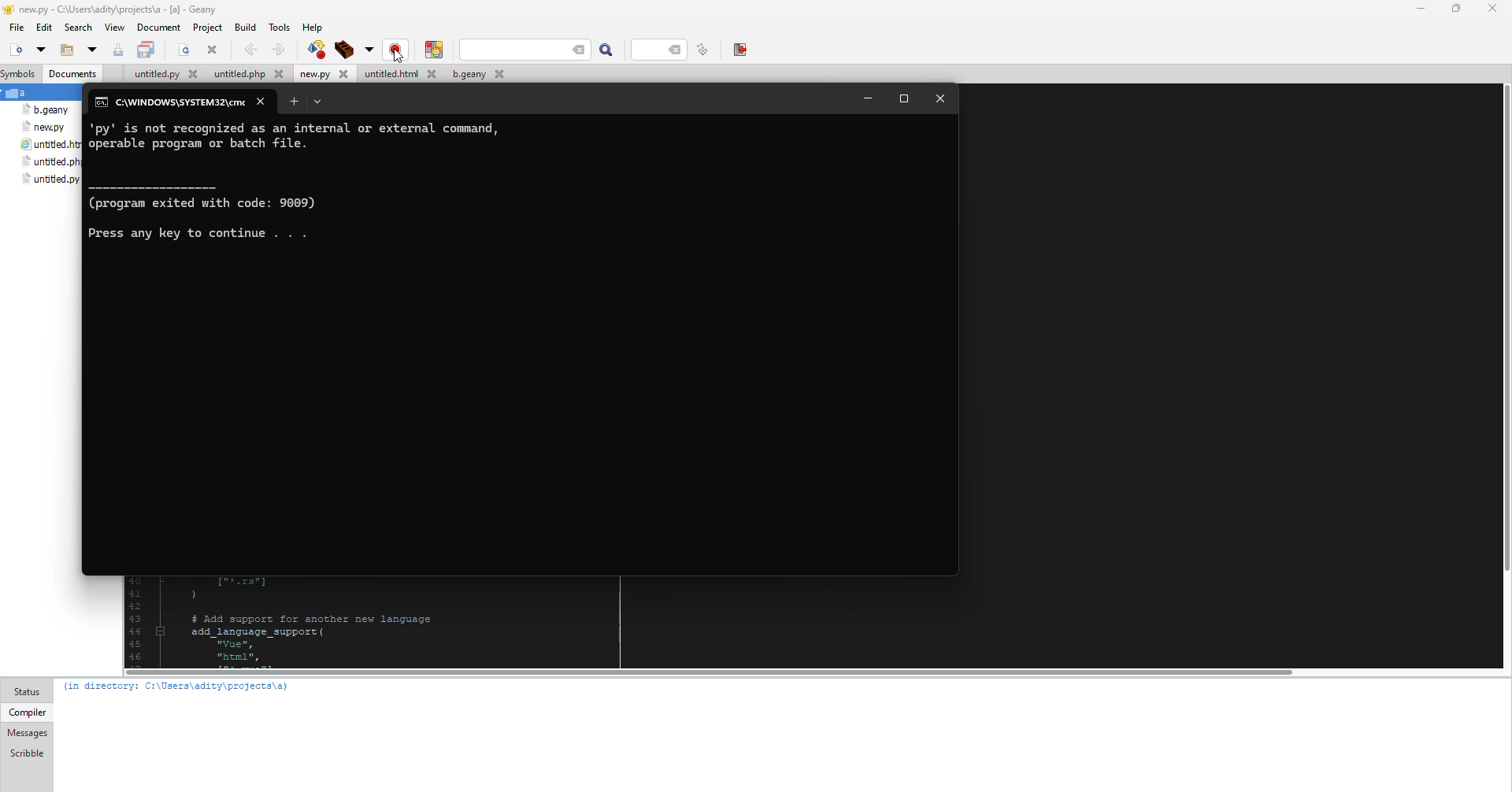  Describe the element at coordinates (25, 753) in the screenshot. I see `scribble` at that location.